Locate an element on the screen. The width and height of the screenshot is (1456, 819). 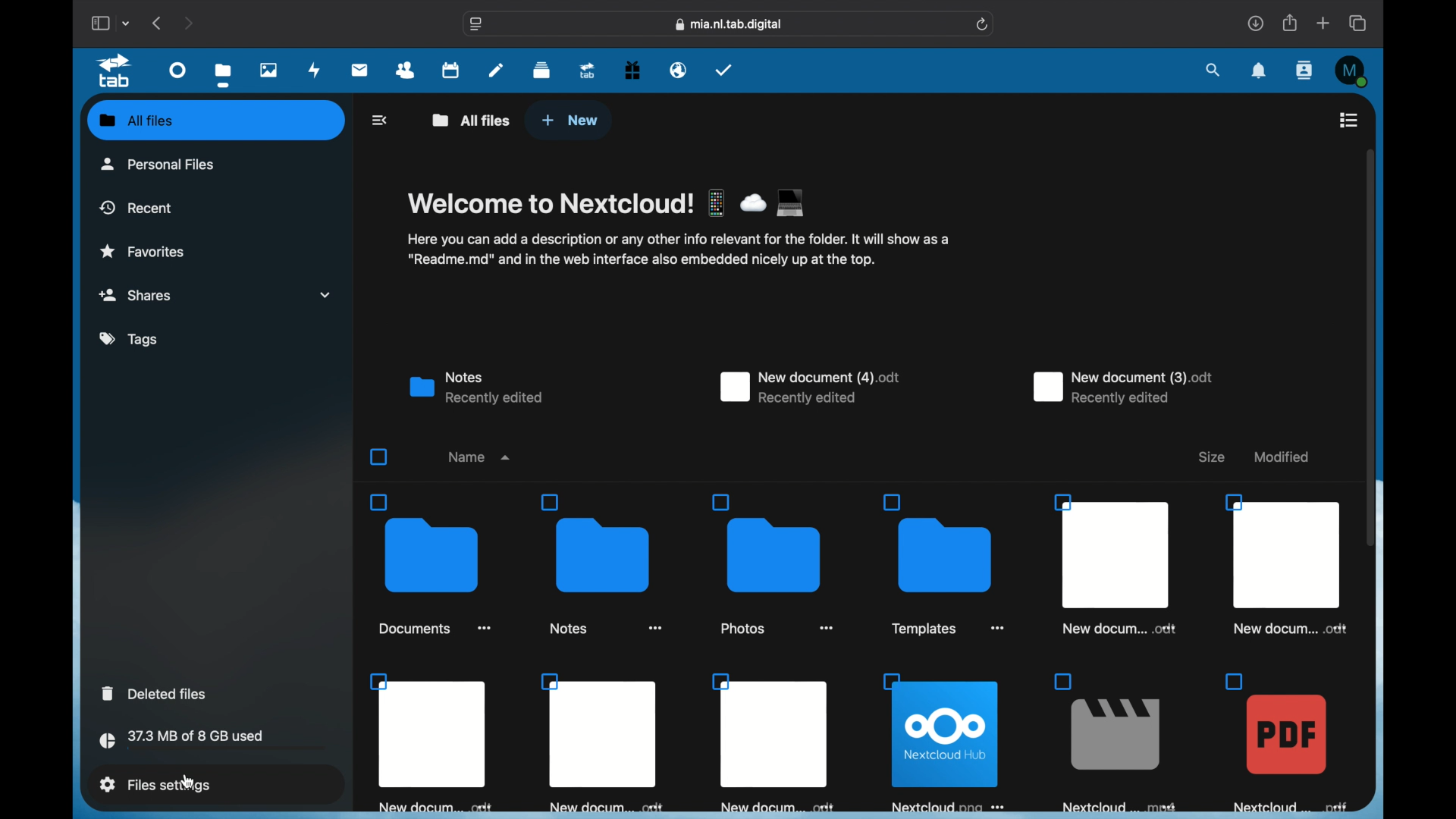
storage is located at coordinates (212, 742).